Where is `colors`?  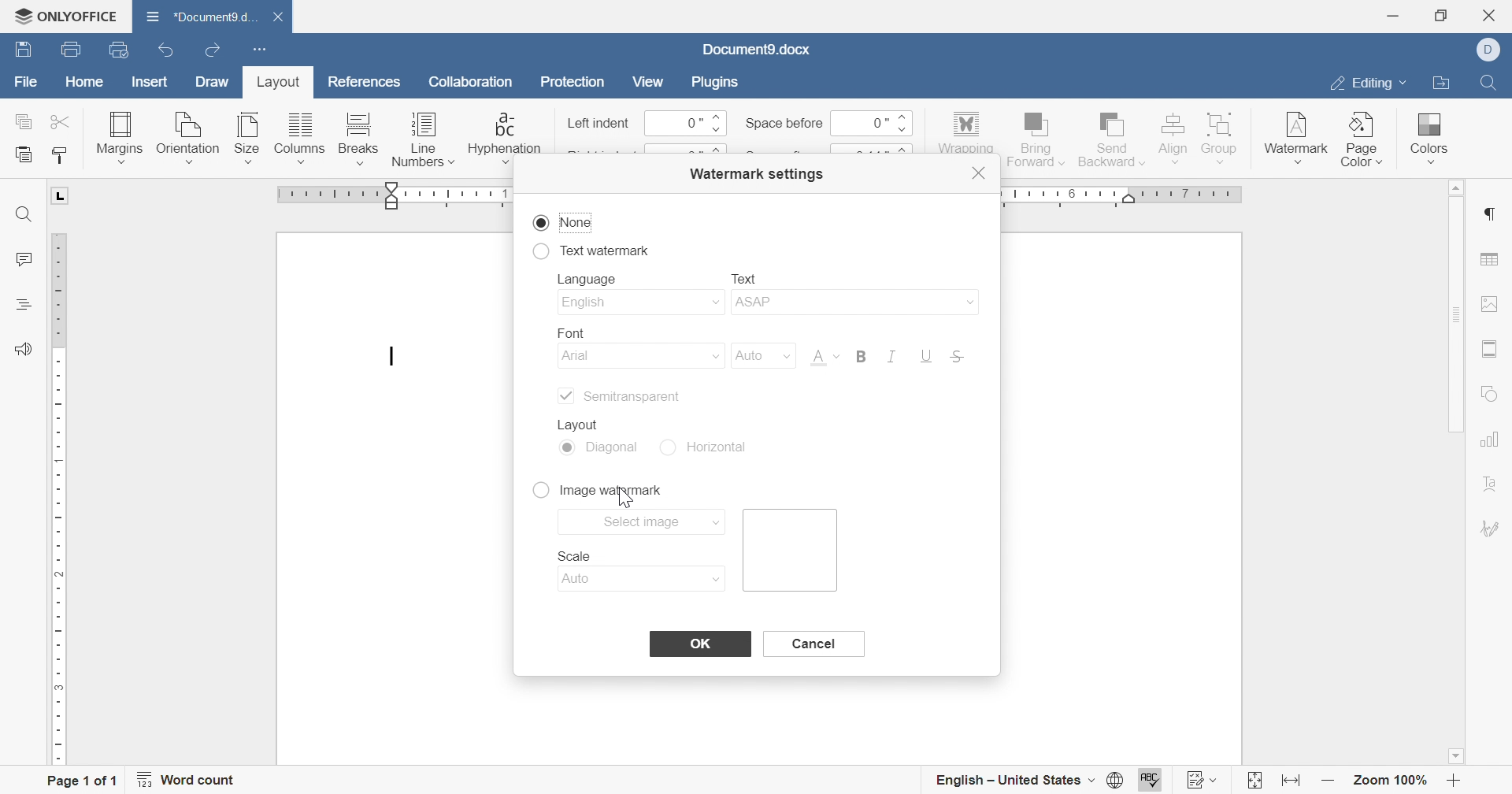 colors is located at coordinates (1426, 132).